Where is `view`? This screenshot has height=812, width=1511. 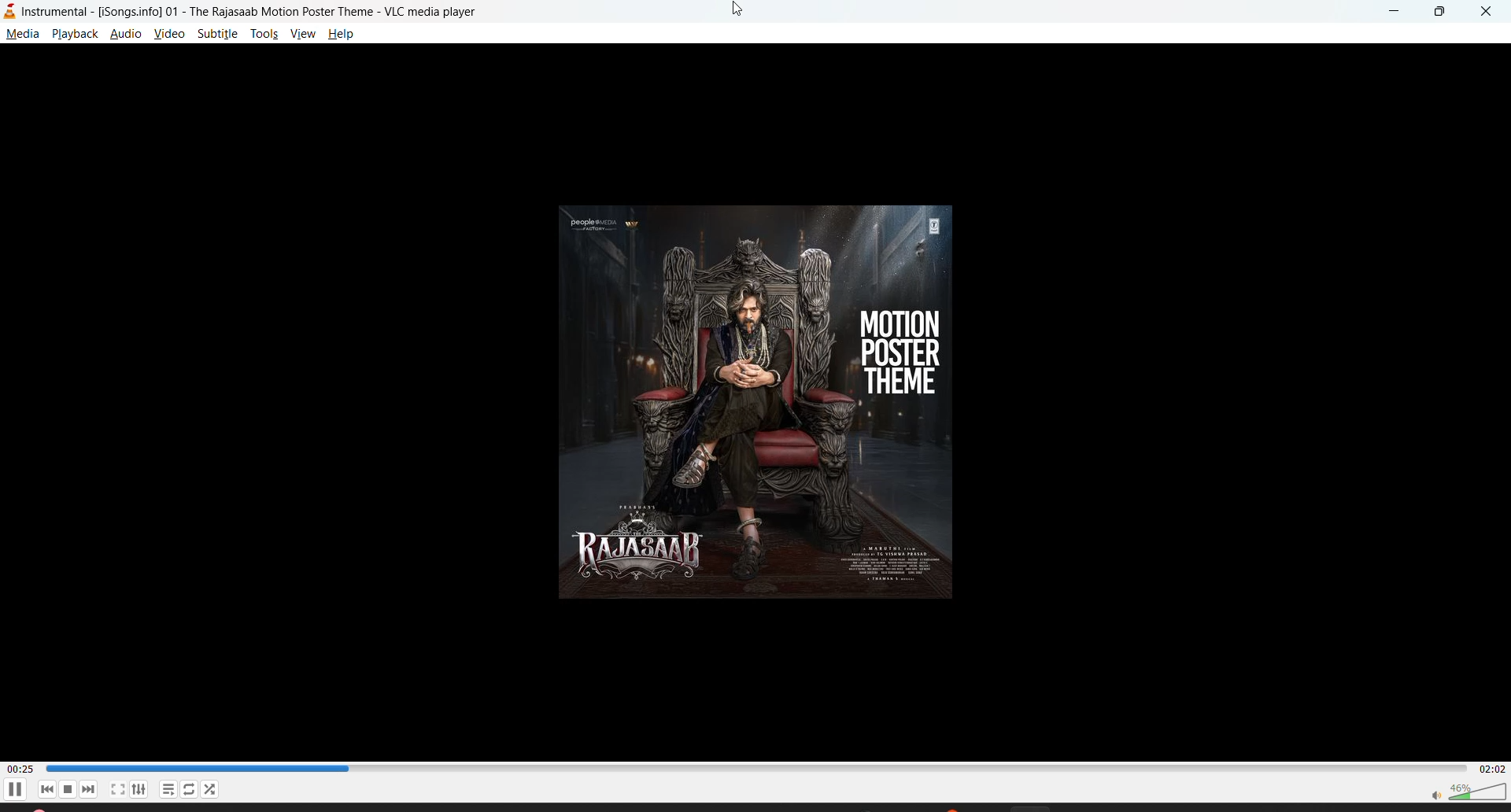 view is located at coordinates (168, 37).